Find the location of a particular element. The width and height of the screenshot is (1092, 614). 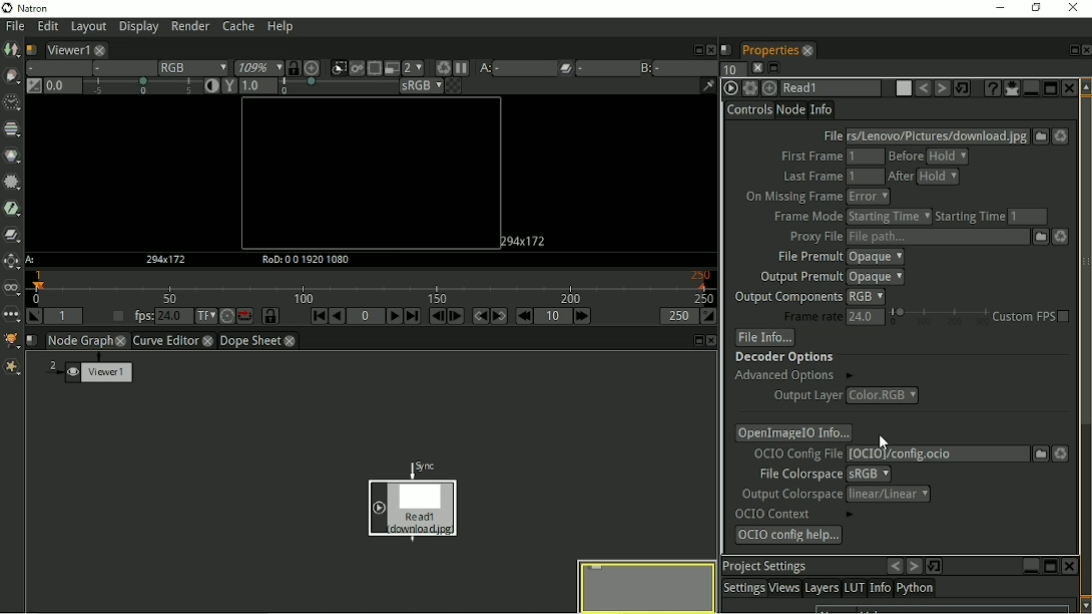

Output layer is located at coordinates (851, 396).